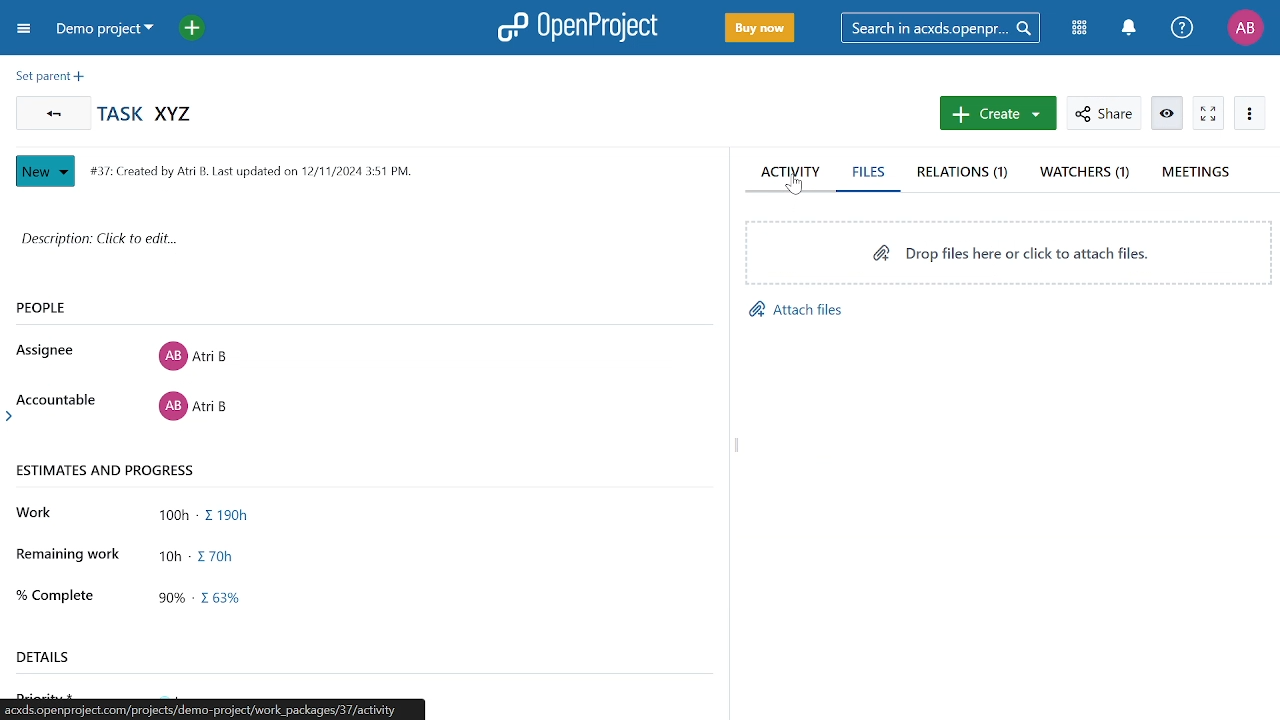 This screenshot has height=720, width=1280. What do you see at coordinates (1105, 114) in the screenshot?
I see `Share` at bounding box center [1105, 114].